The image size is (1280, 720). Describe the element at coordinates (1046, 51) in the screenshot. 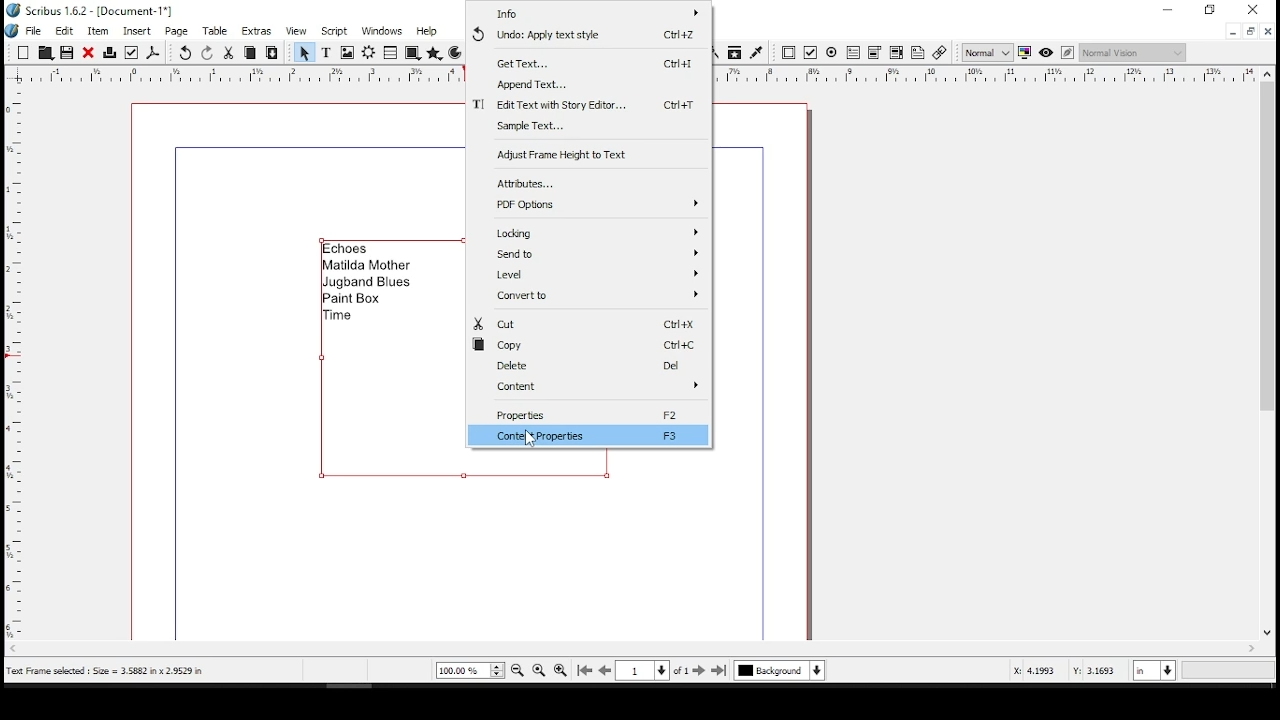

I see `preview mode` at that location.